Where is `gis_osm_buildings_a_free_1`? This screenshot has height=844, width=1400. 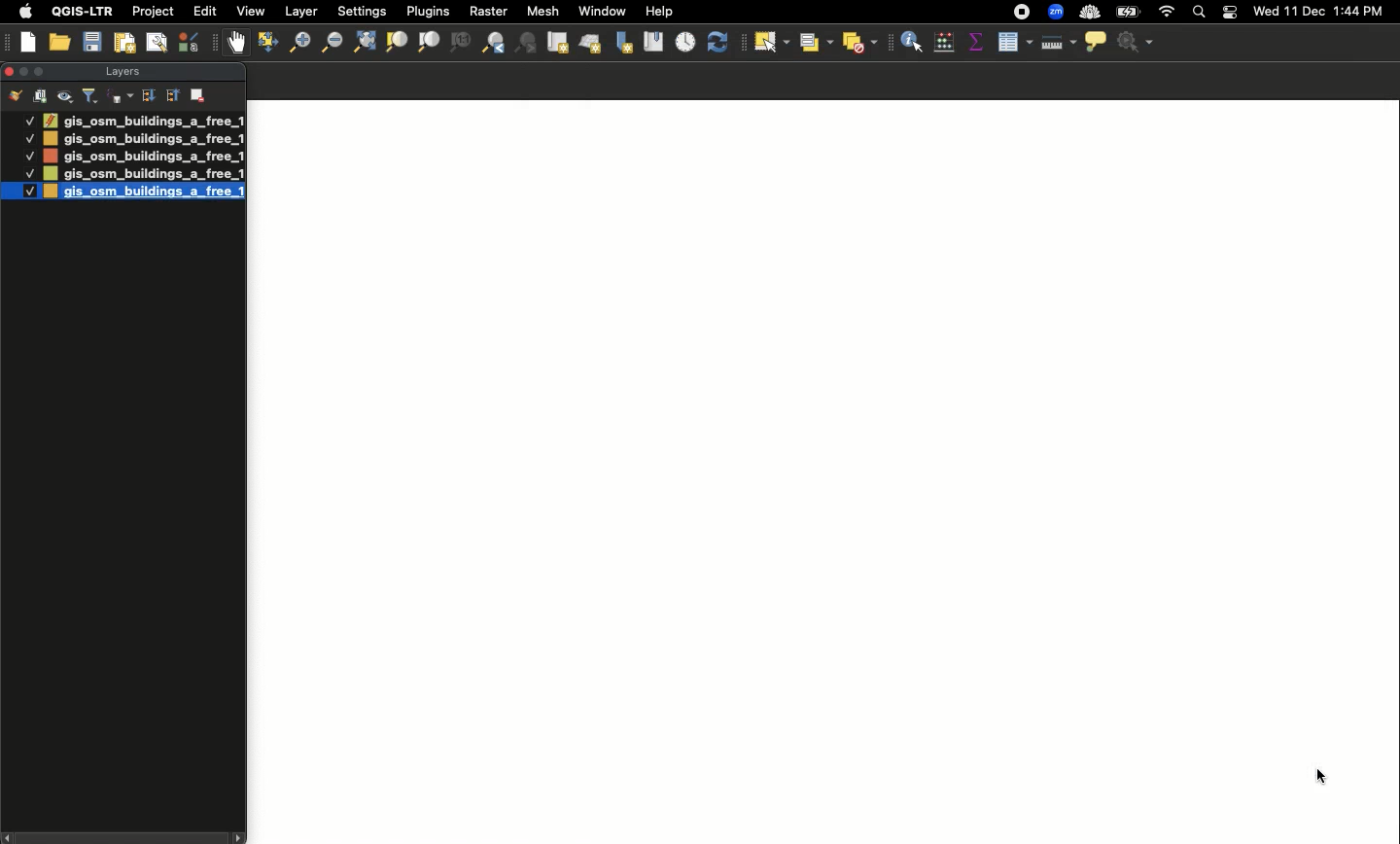 gis_osm_buildings_a_free_1 is located at coordinates (143, 156).